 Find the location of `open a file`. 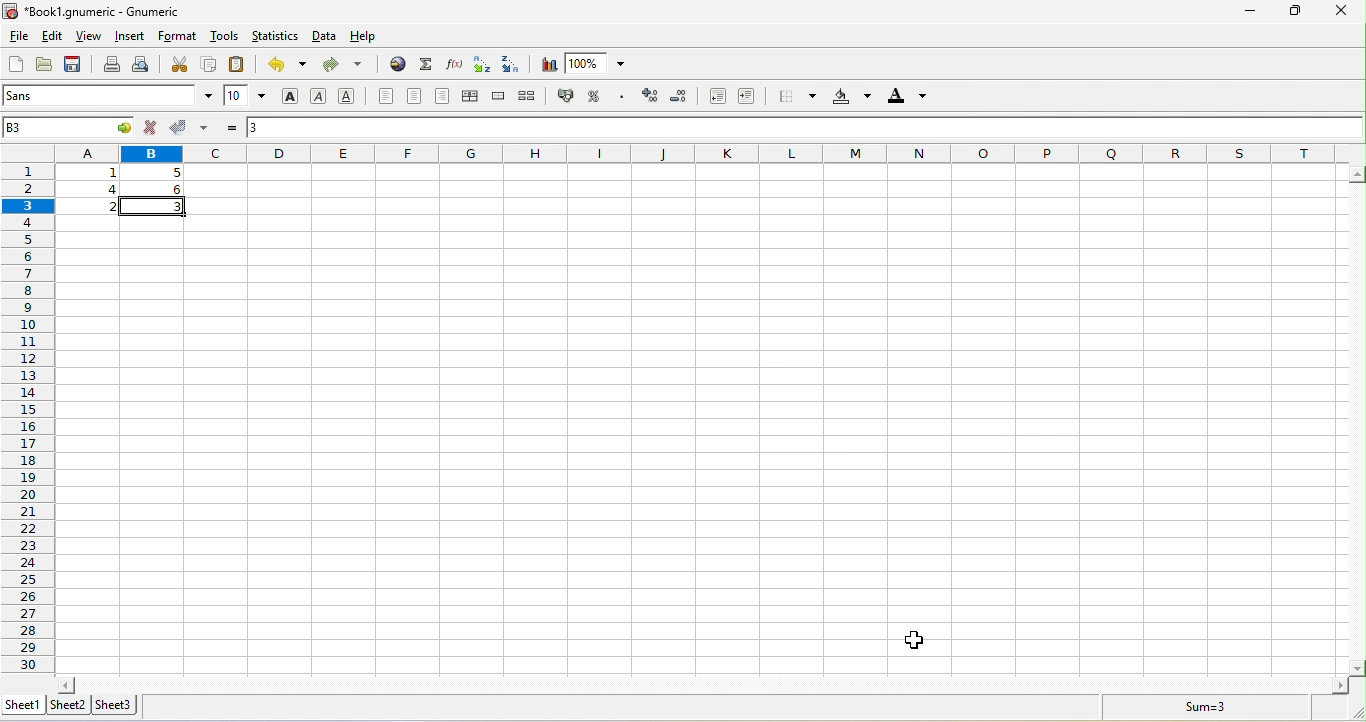

open a file is located at coordinates (43, 67).